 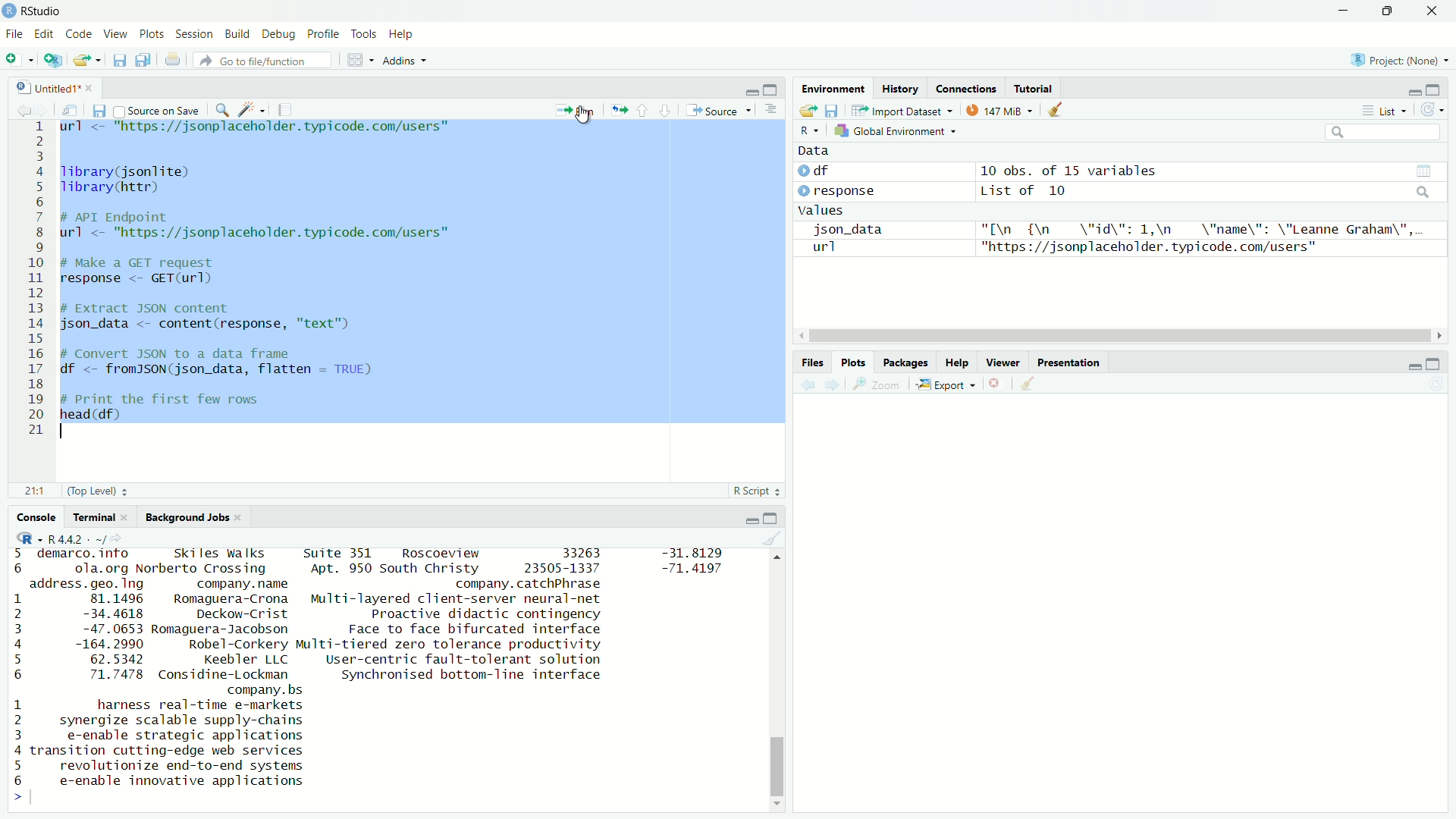 What do you see at coordinates (576, 108) in the screenshot?
I see `Run` at bounding box center [576, 108].